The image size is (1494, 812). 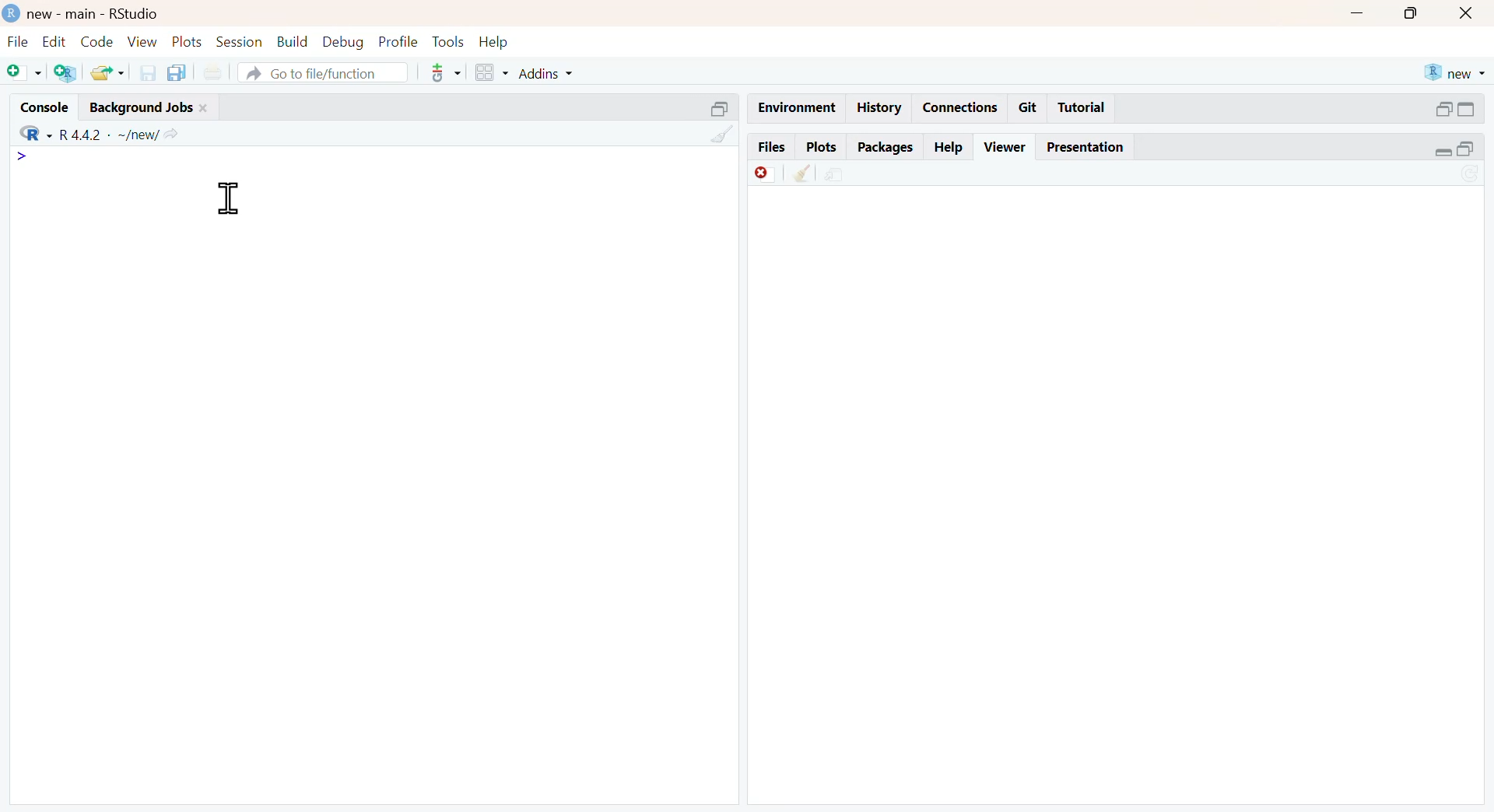 What do you see at coordinates (805, 173) in the screenshot?
I see `clean` at bounding box center [805, 173].